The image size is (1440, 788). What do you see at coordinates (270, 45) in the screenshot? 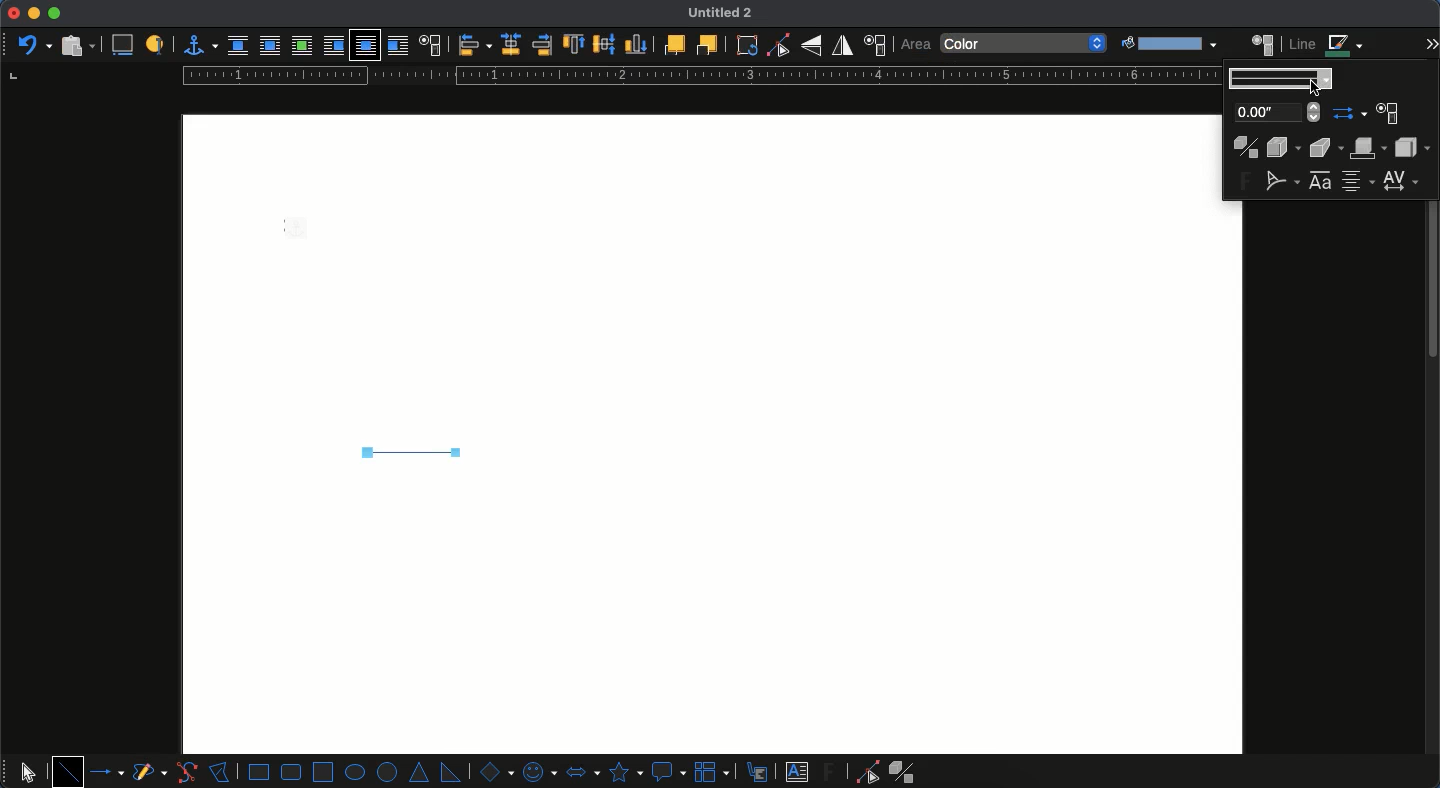
I see `parallel` at bounding box center [270, 45].